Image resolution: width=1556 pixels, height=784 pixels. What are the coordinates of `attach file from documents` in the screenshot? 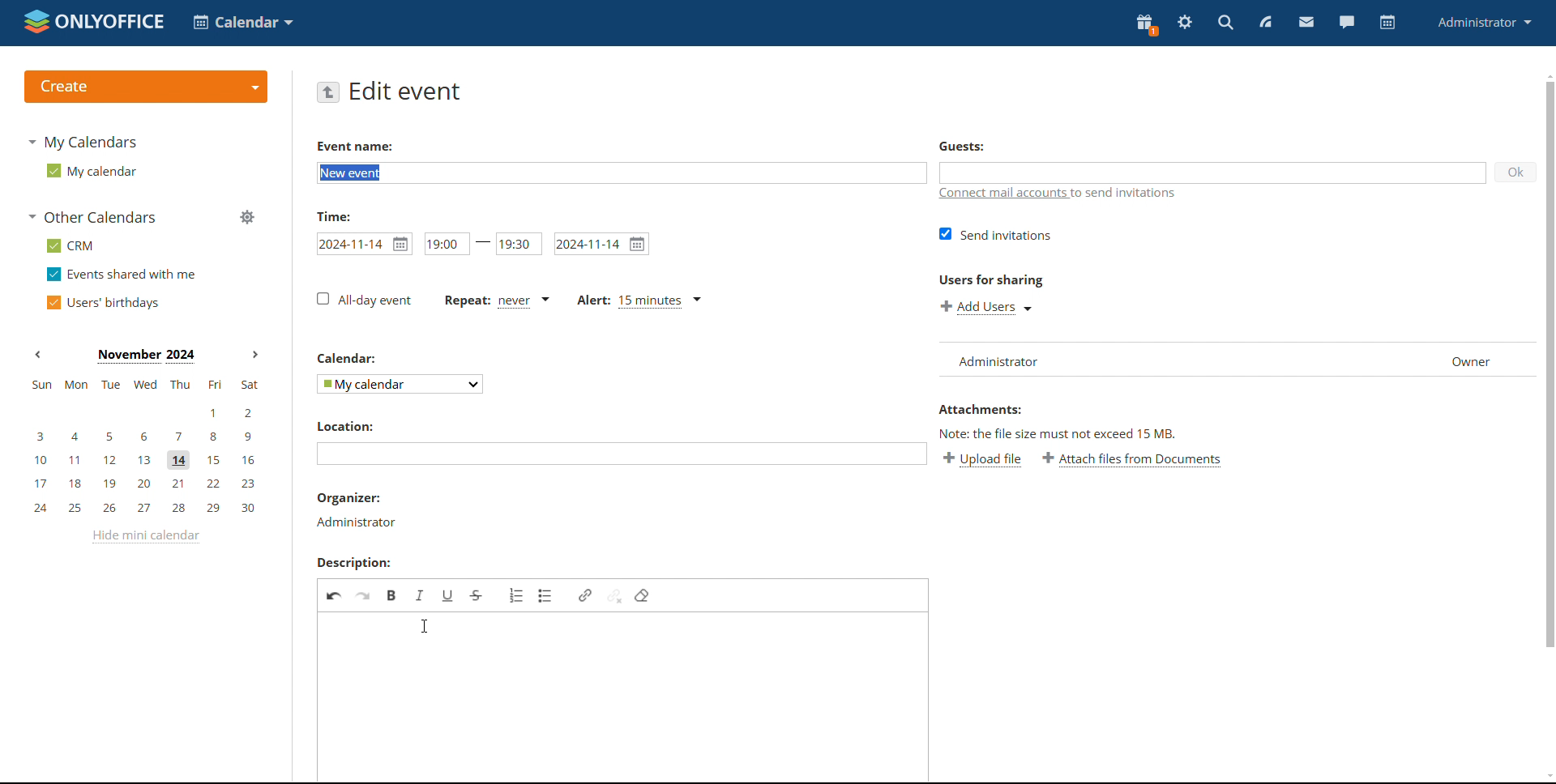 It's located at (1131, 460).